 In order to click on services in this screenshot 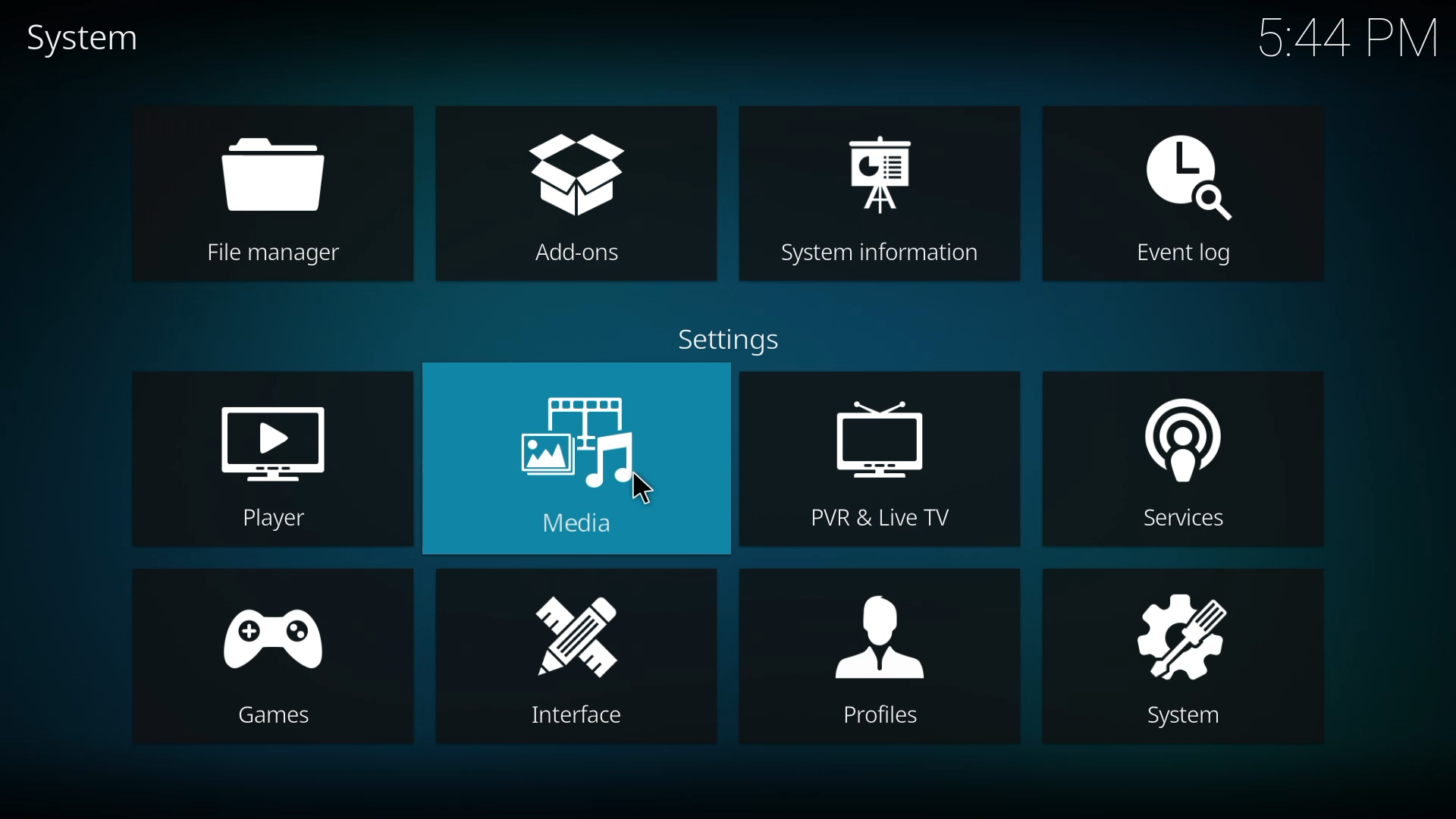, I will do `click(1175, 447)`.